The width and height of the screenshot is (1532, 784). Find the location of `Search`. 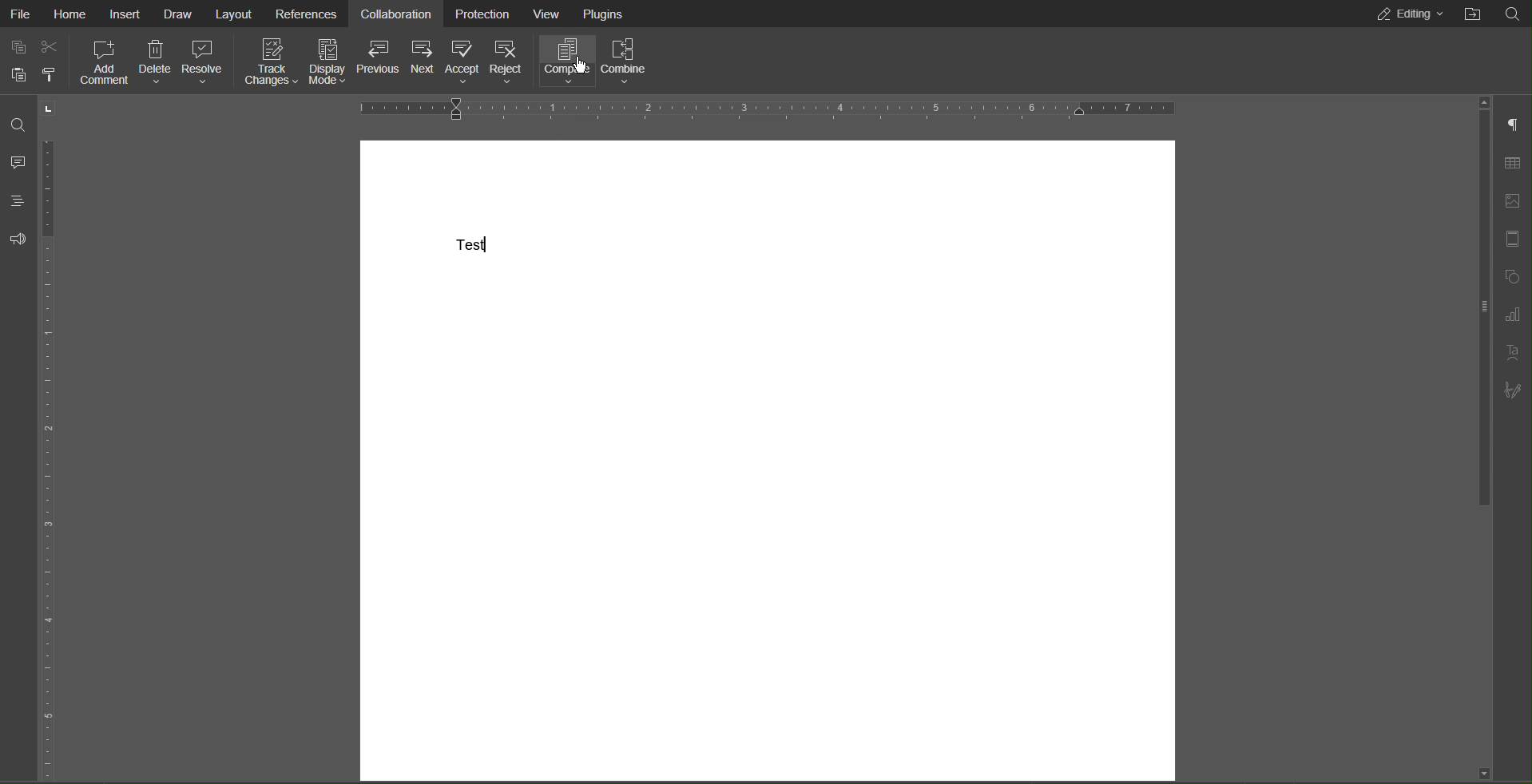

Search is located at coordinates (15, 123).